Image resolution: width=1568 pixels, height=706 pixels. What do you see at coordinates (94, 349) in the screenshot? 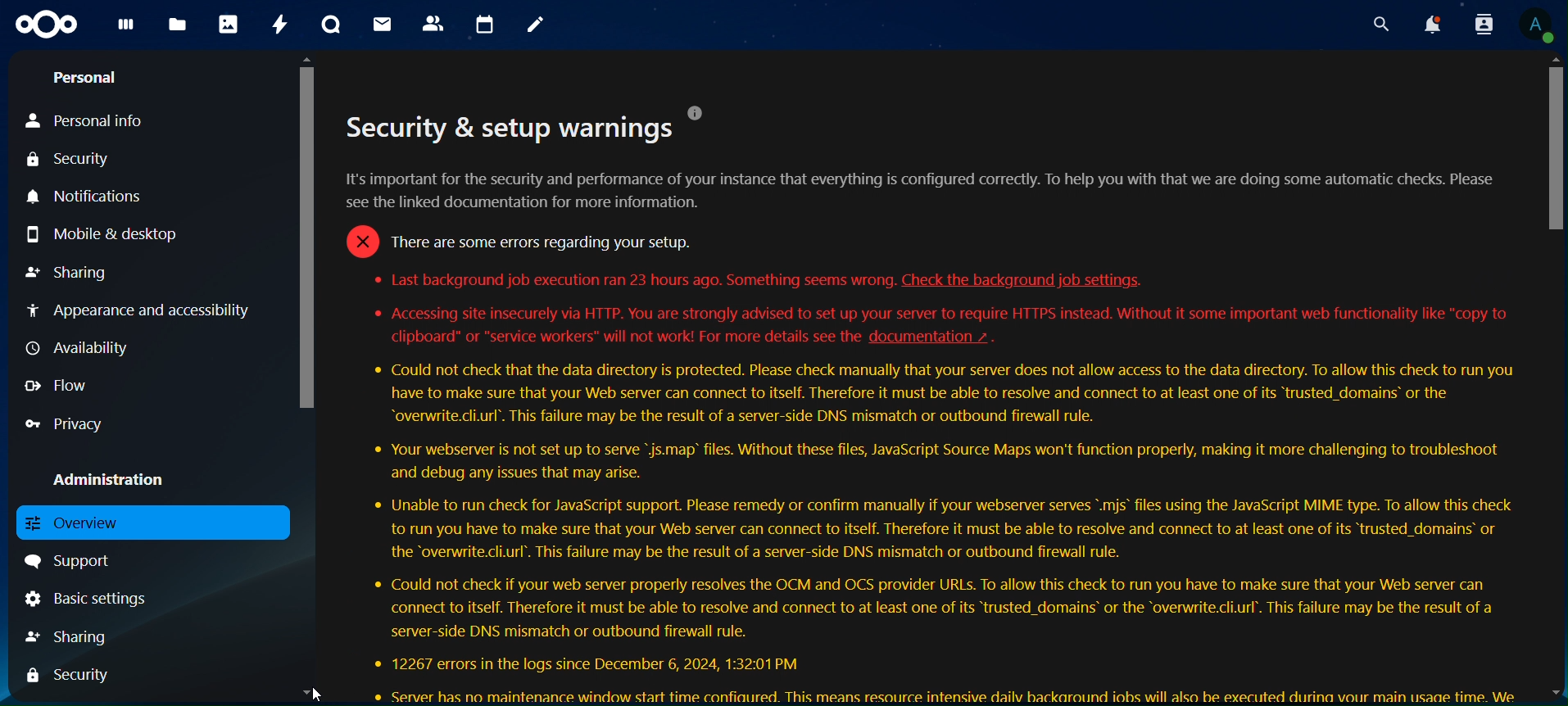
I see `availability` at bounding box center [94, 349].